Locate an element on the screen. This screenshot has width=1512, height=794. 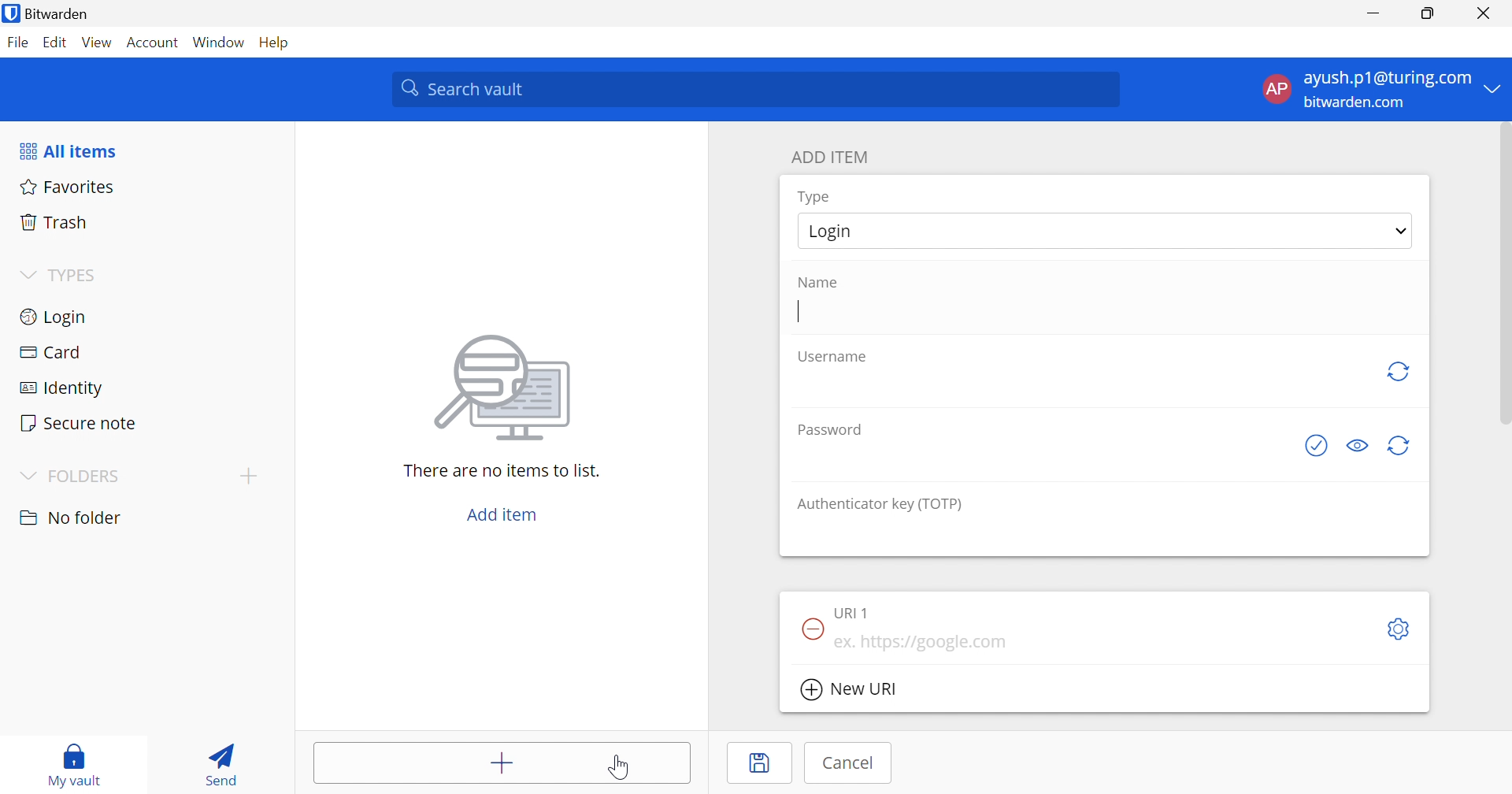
Bitwarden is located at coordinates (48, 13).